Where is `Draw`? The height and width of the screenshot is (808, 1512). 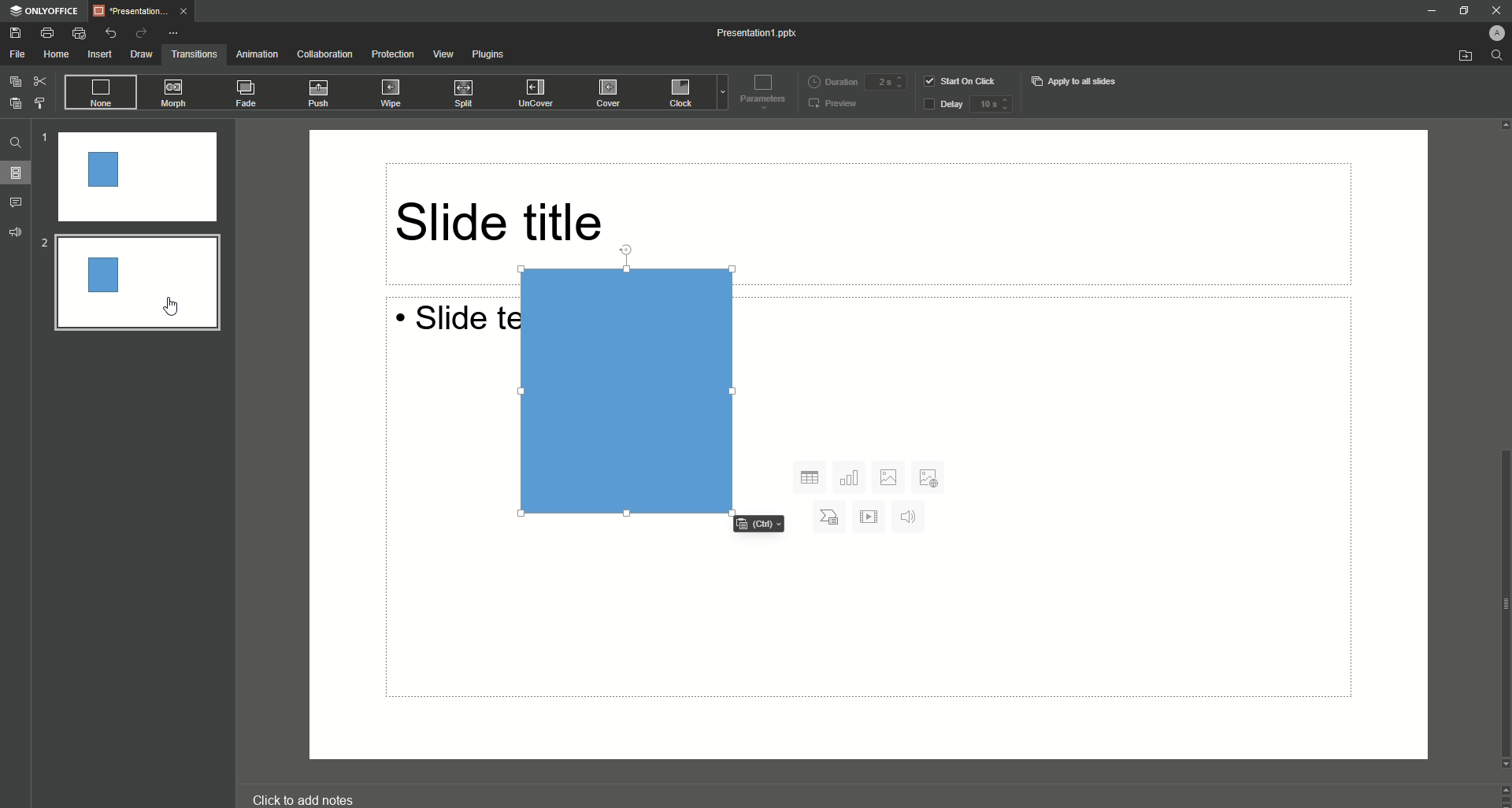 Draw is located at coordinates (140, 54).